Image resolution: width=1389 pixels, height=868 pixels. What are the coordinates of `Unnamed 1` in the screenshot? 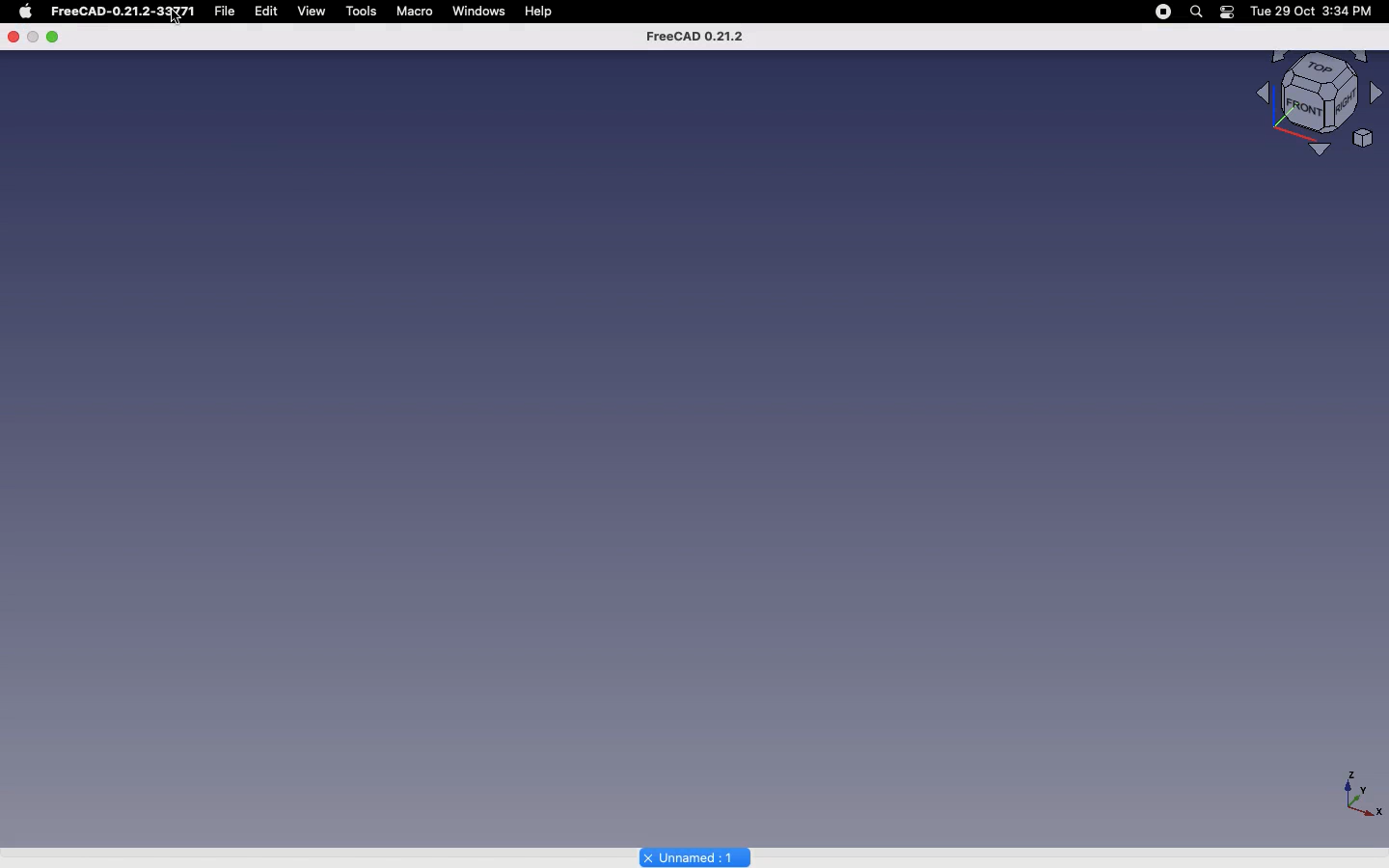 It's located at (688, 854).